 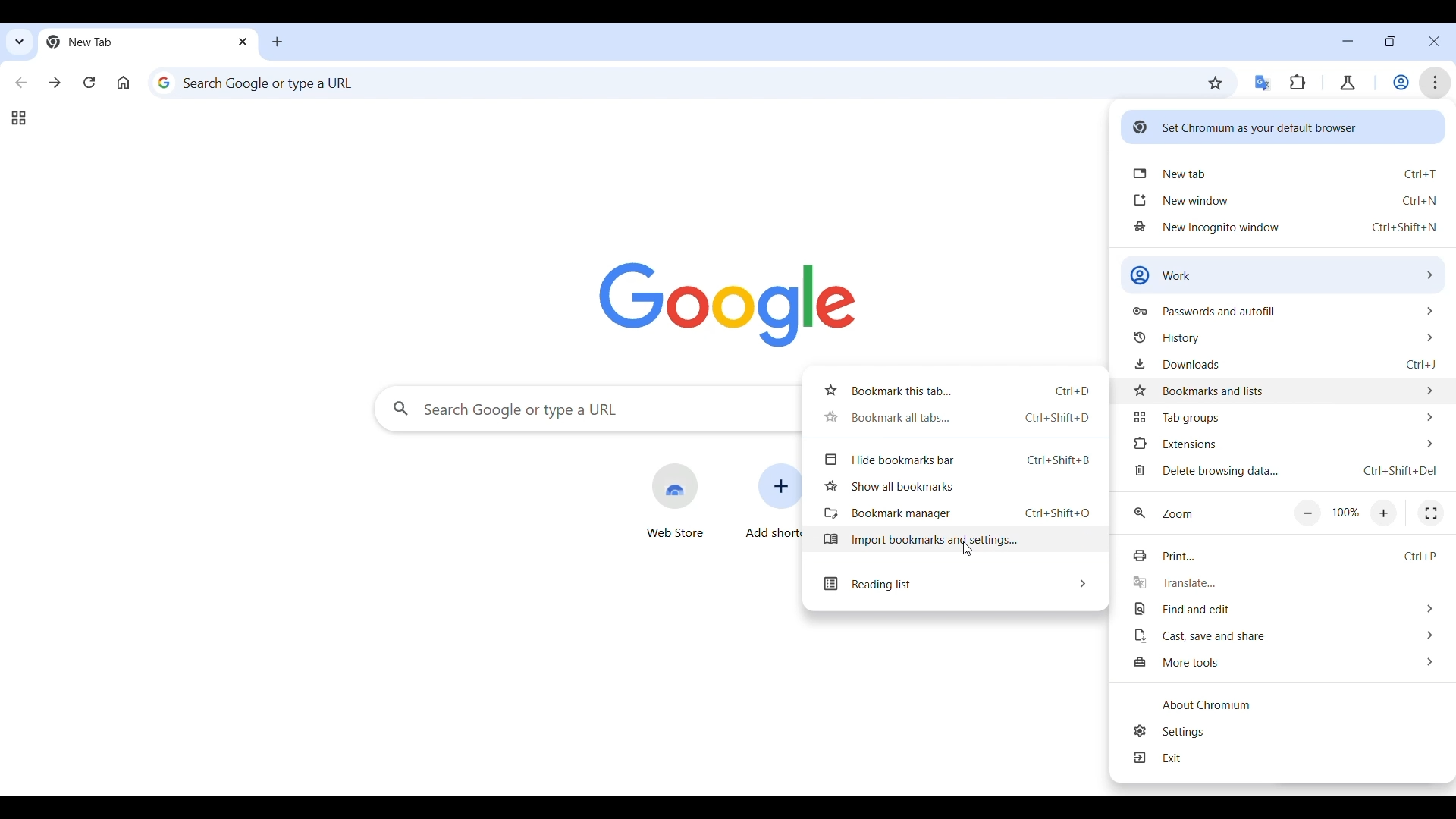 What do you see at coordinates (773, 502) in the screenshot?
I see `Add shortcut` at bounding box center [773, 502].